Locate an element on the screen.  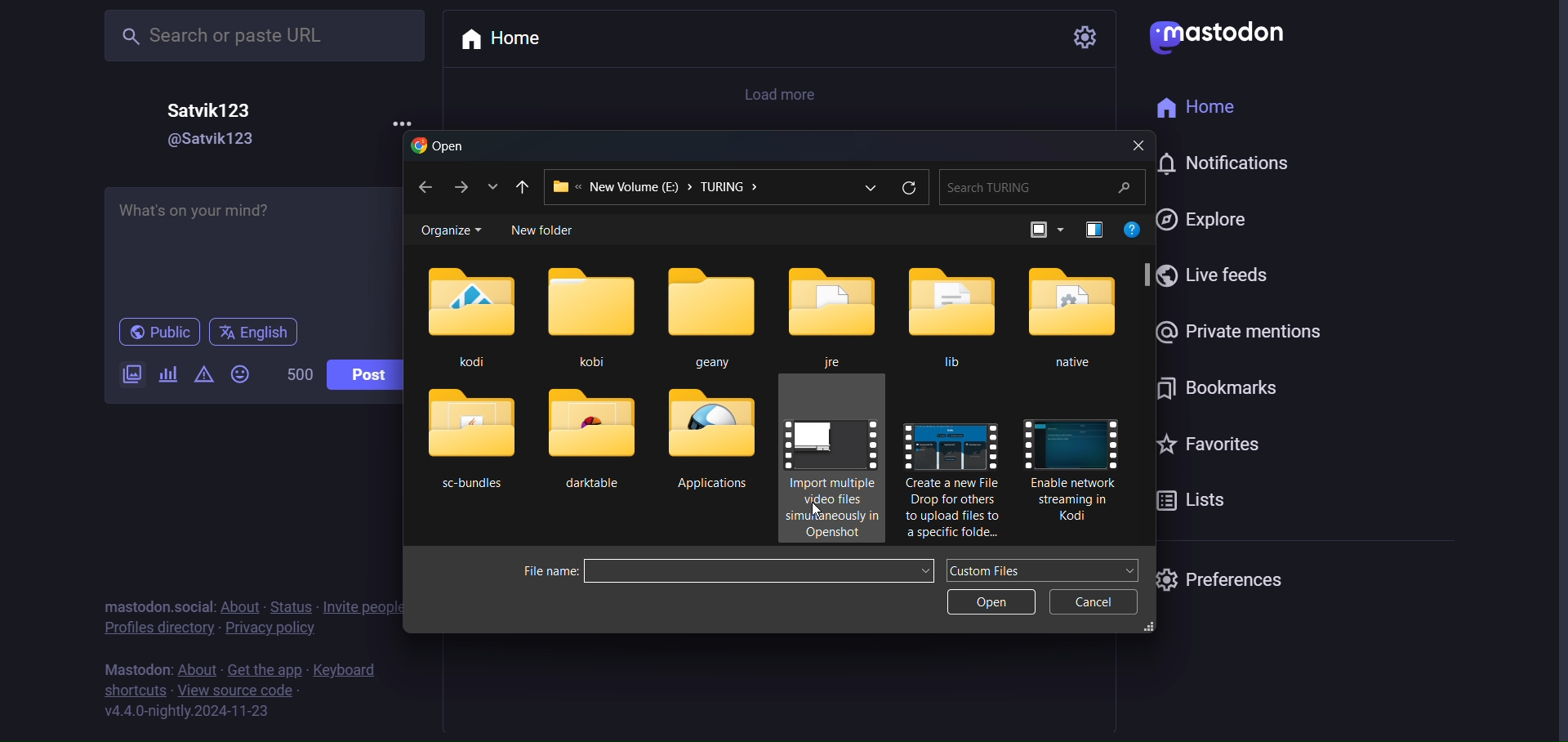
Satvik123 is located at coordinates (212, 110).